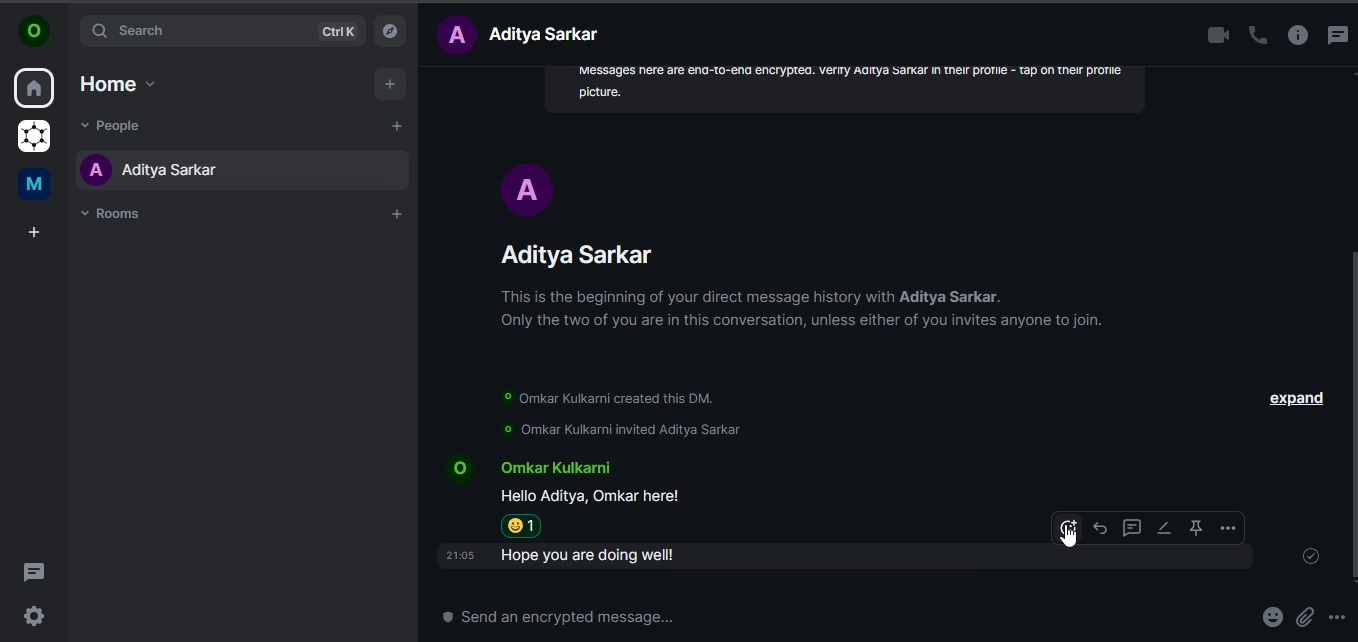 The height and width of the screenshot is (642, 1358). Describe the element at coordinates (35, 90) in the screenshot. I see `home` at that location.